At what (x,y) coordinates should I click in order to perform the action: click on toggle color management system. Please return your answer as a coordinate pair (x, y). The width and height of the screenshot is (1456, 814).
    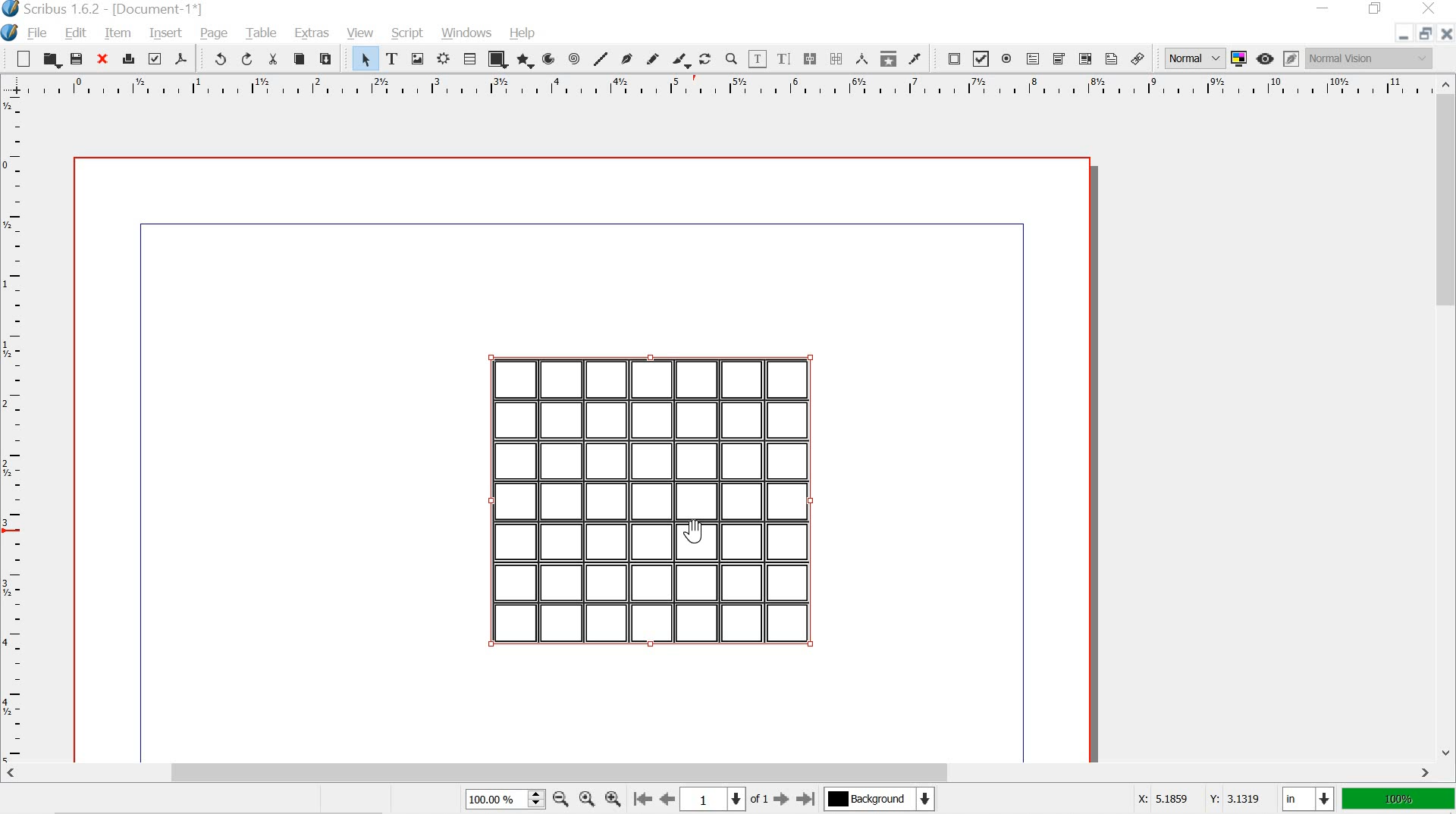
    Looking at the image, I should click on (1238, 57).